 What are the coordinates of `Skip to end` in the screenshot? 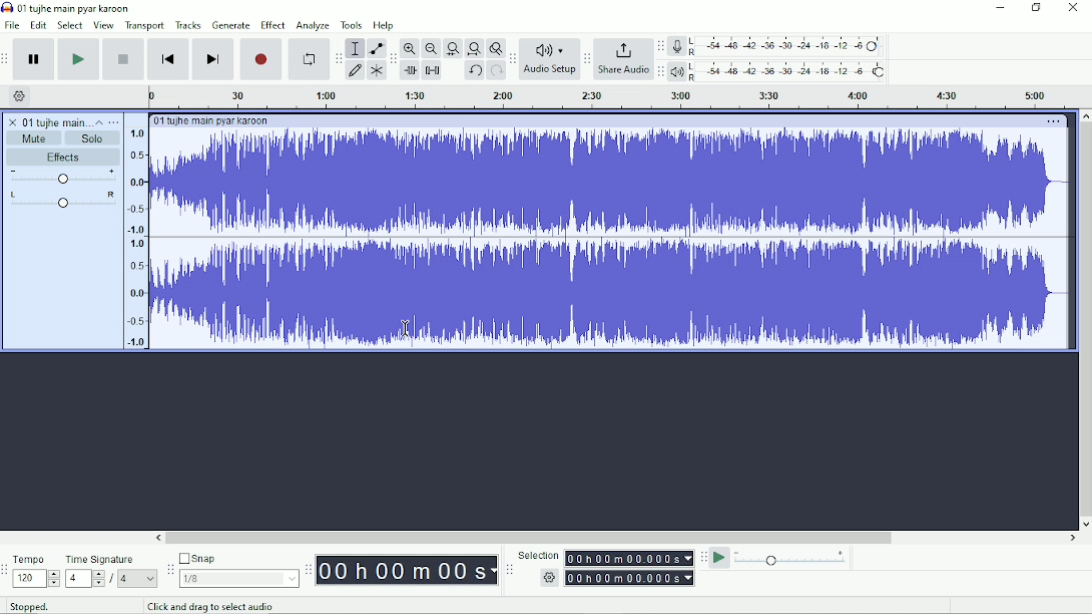 It's located at (214, 60).